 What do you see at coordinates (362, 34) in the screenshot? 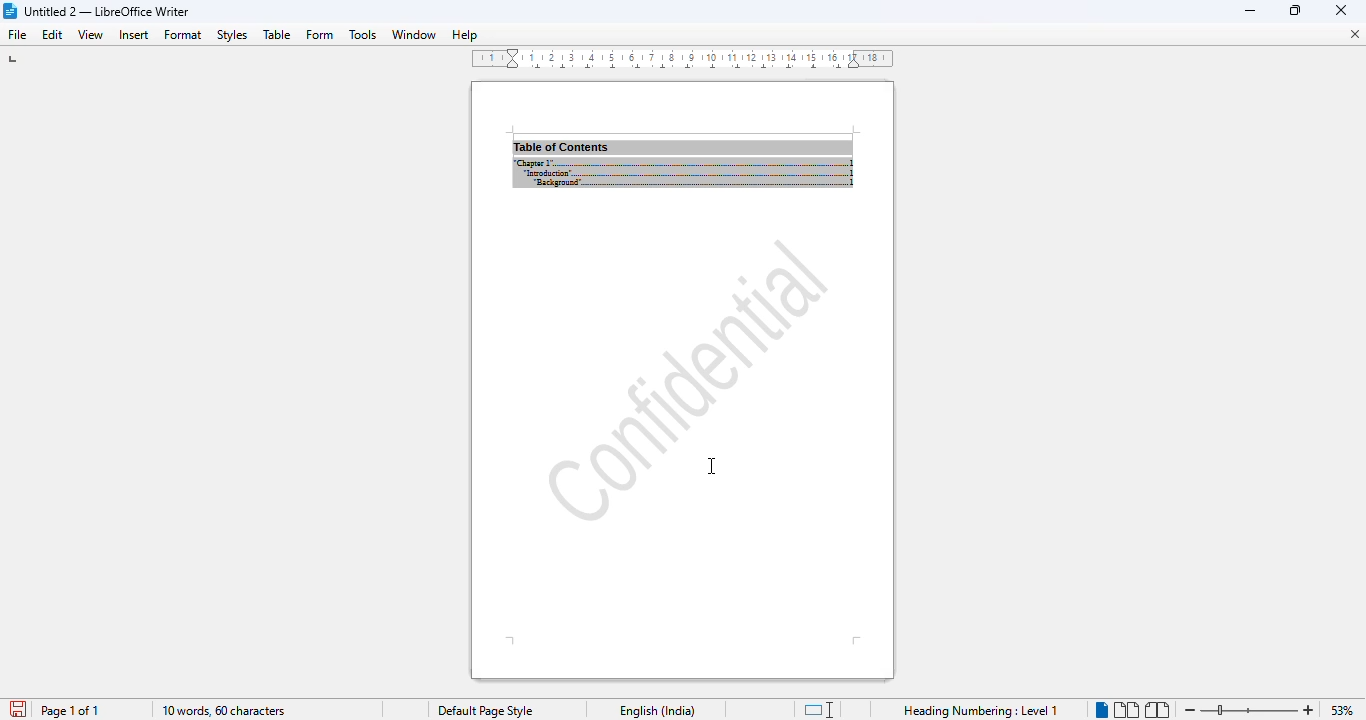
I see `tools` at bounding box center [362, 34].